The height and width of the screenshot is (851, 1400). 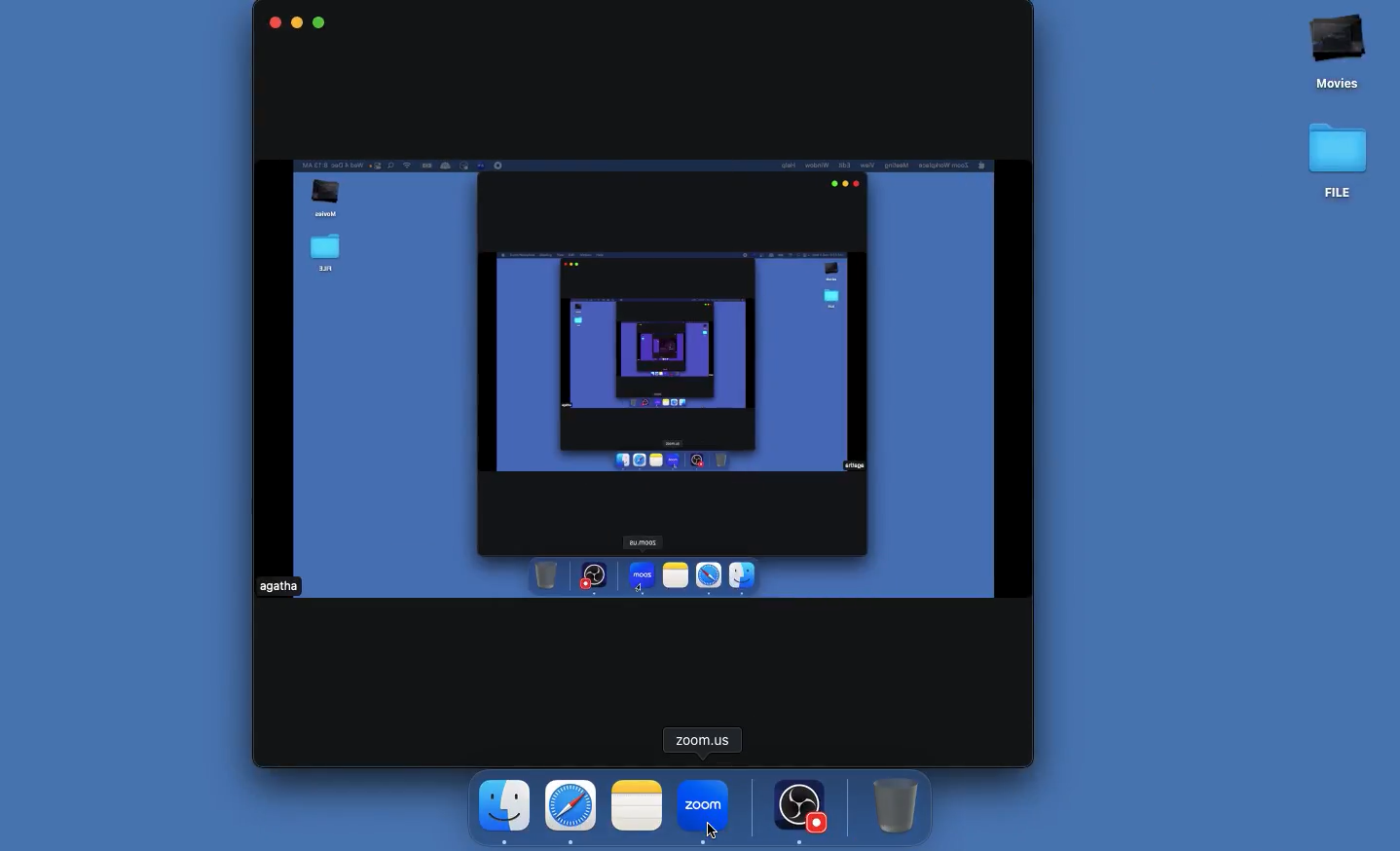 What do you see at coordinates (704, 739) in the screenshot?
I see `Zoom us` at bounding box center [704, 739].